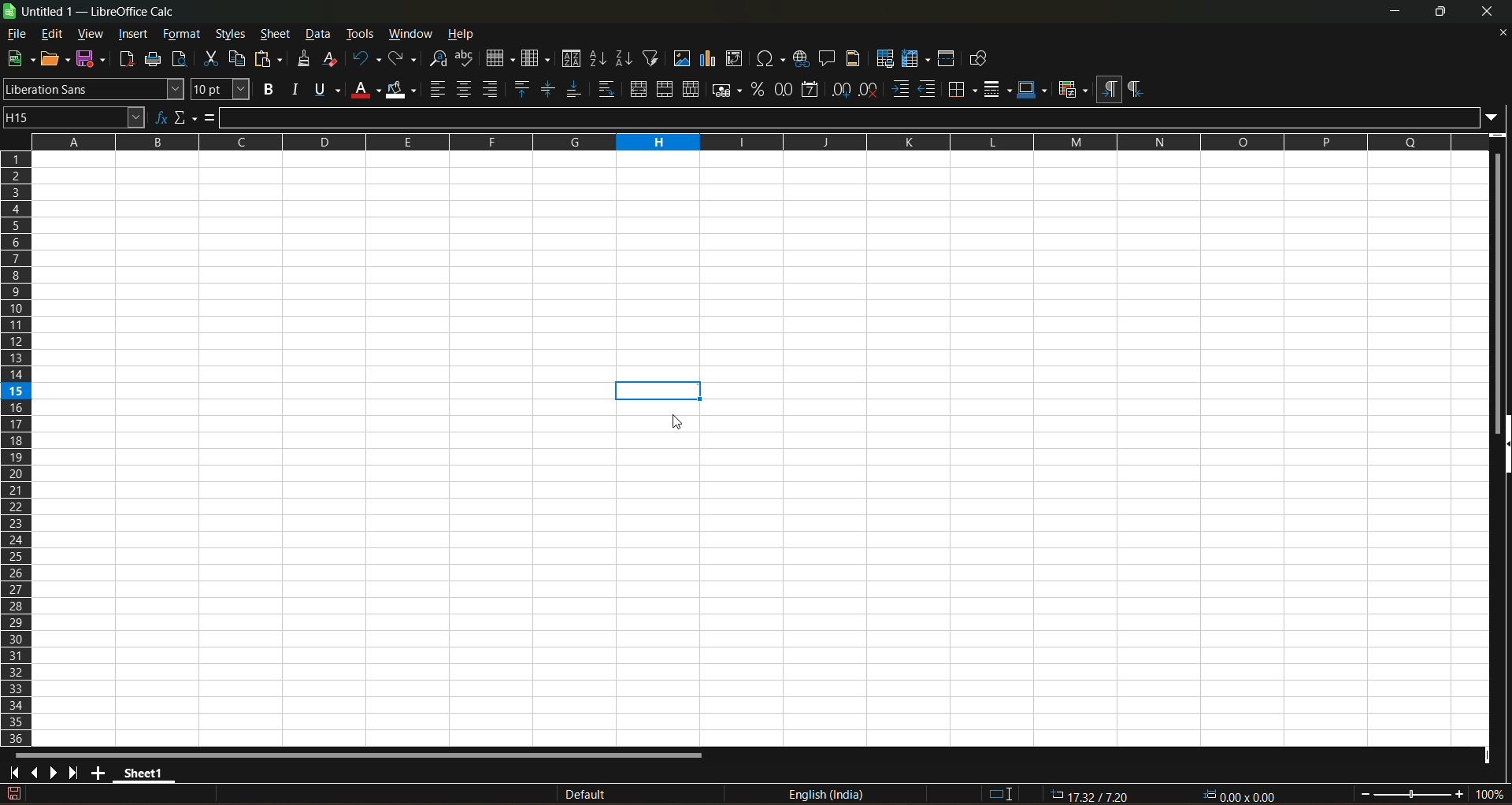 This screenshot has width=1512, height=805. What do you see at coordinates (521, 87) in the screenshot?
I see `align top` at bounding box center [521, 87].